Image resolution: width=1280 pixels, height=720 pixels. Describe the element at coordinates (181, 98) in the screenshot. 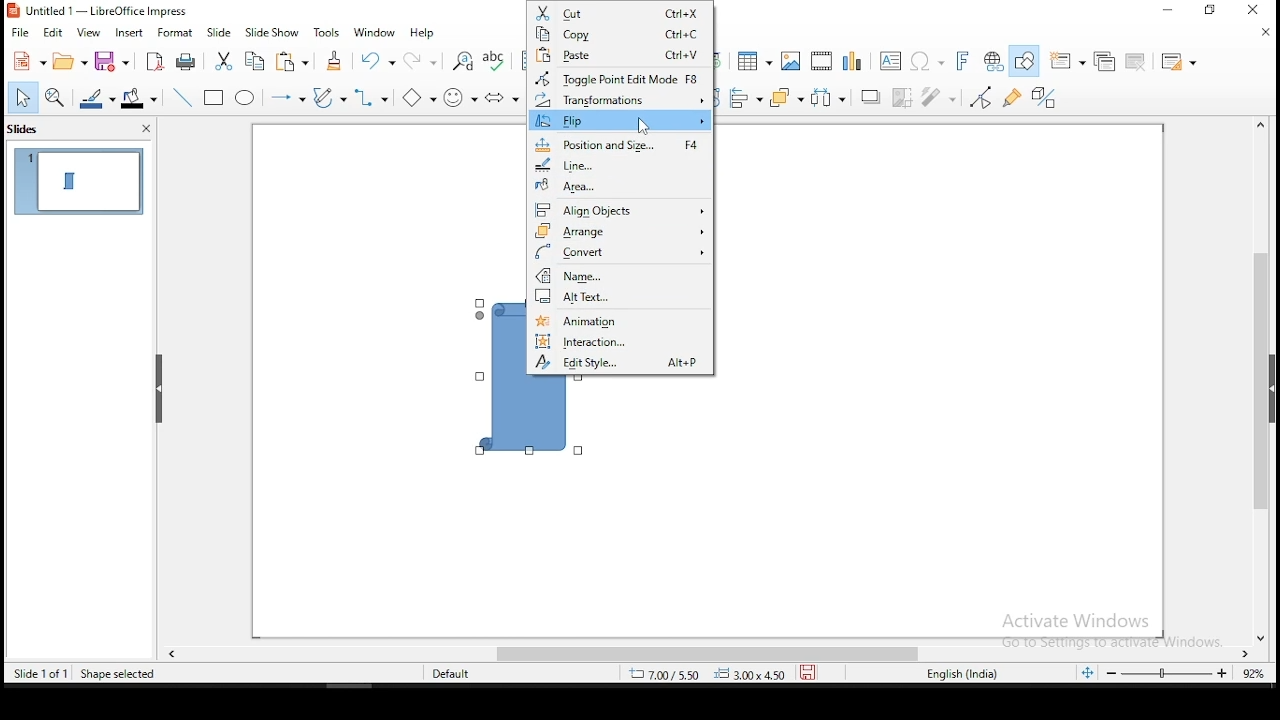

I see `line` at that location.